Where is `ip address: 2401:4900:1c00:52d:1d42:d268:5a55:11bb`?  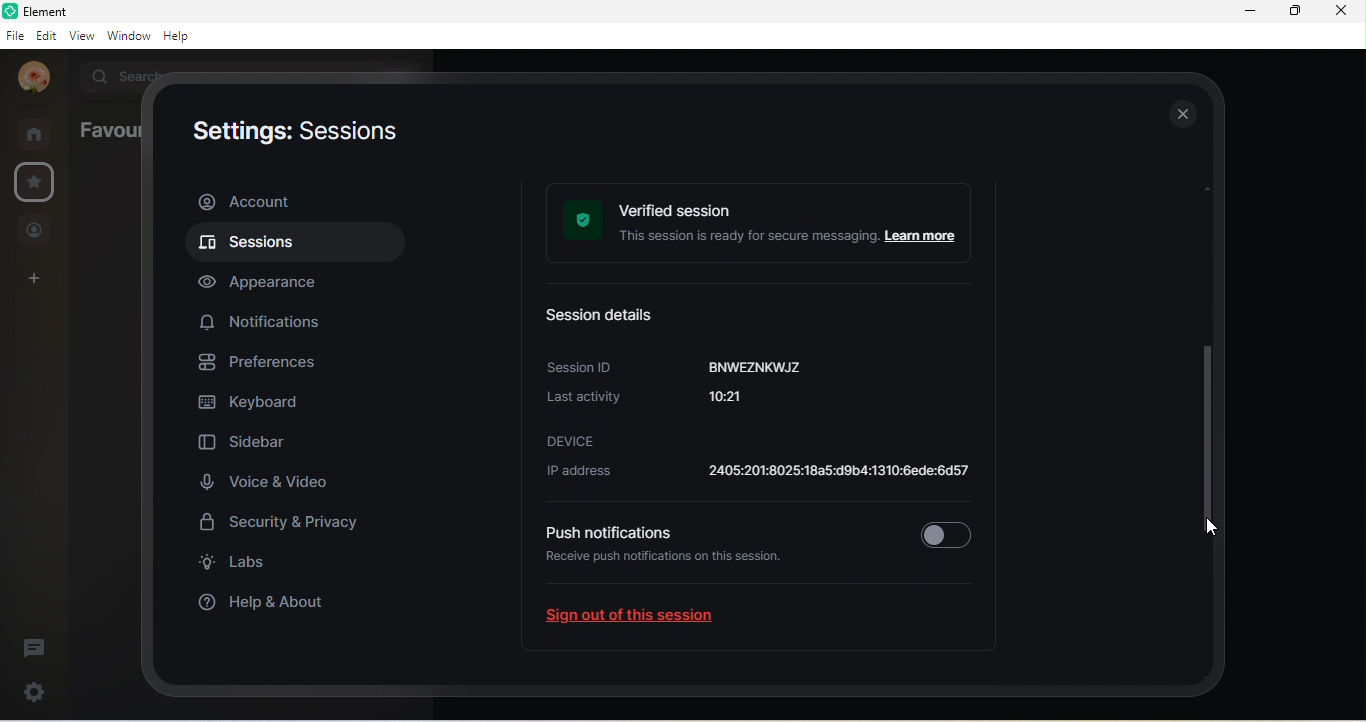 ip address: 2401:4900:1c00:52d:1d42:d268:5a55:11bb is located at coordinates (753, 474).